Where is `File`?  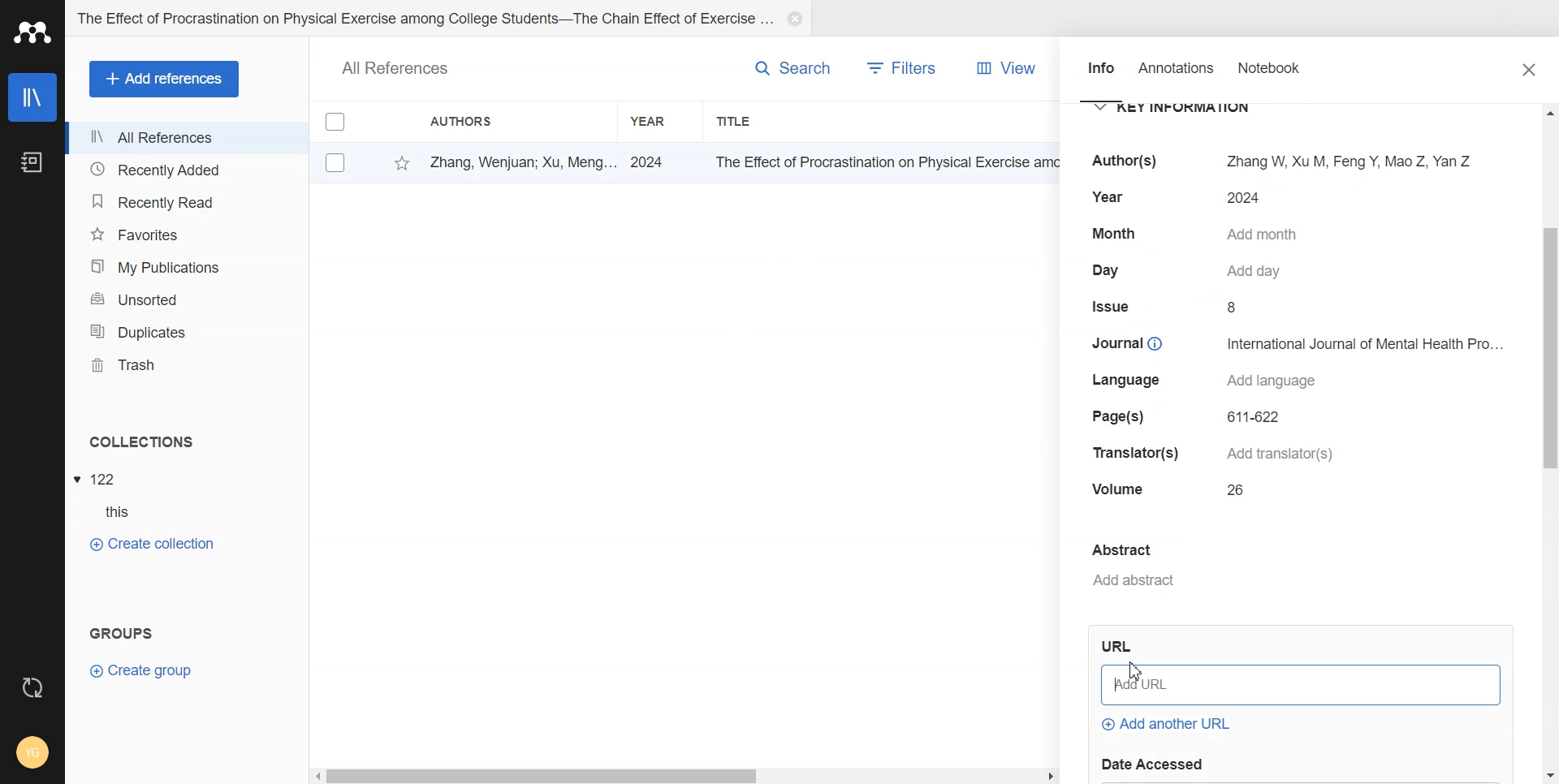 File is located at coordinates (100, 478).